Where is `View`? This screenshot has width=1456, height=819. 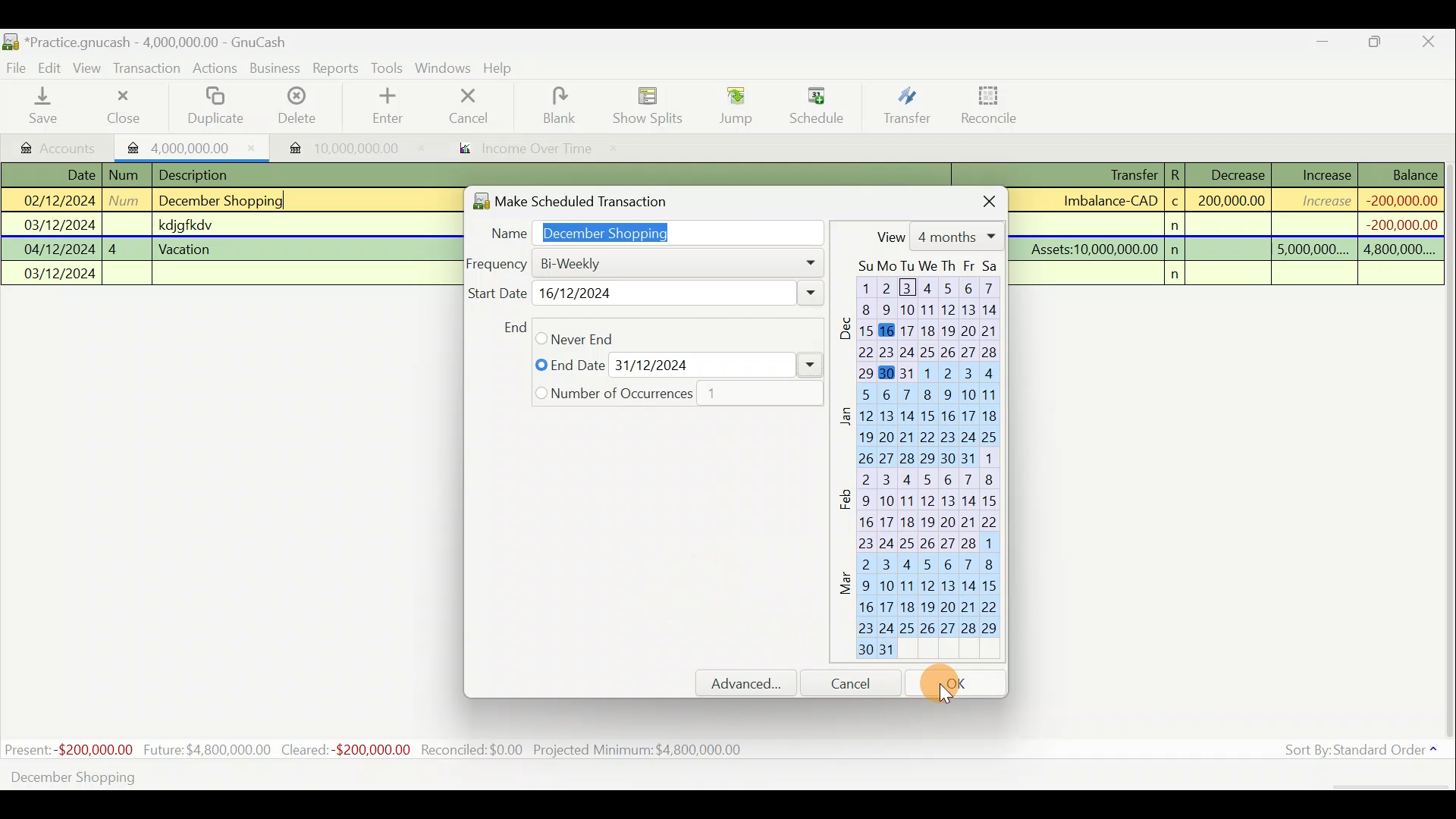
View is located at coordinates (937, 236).